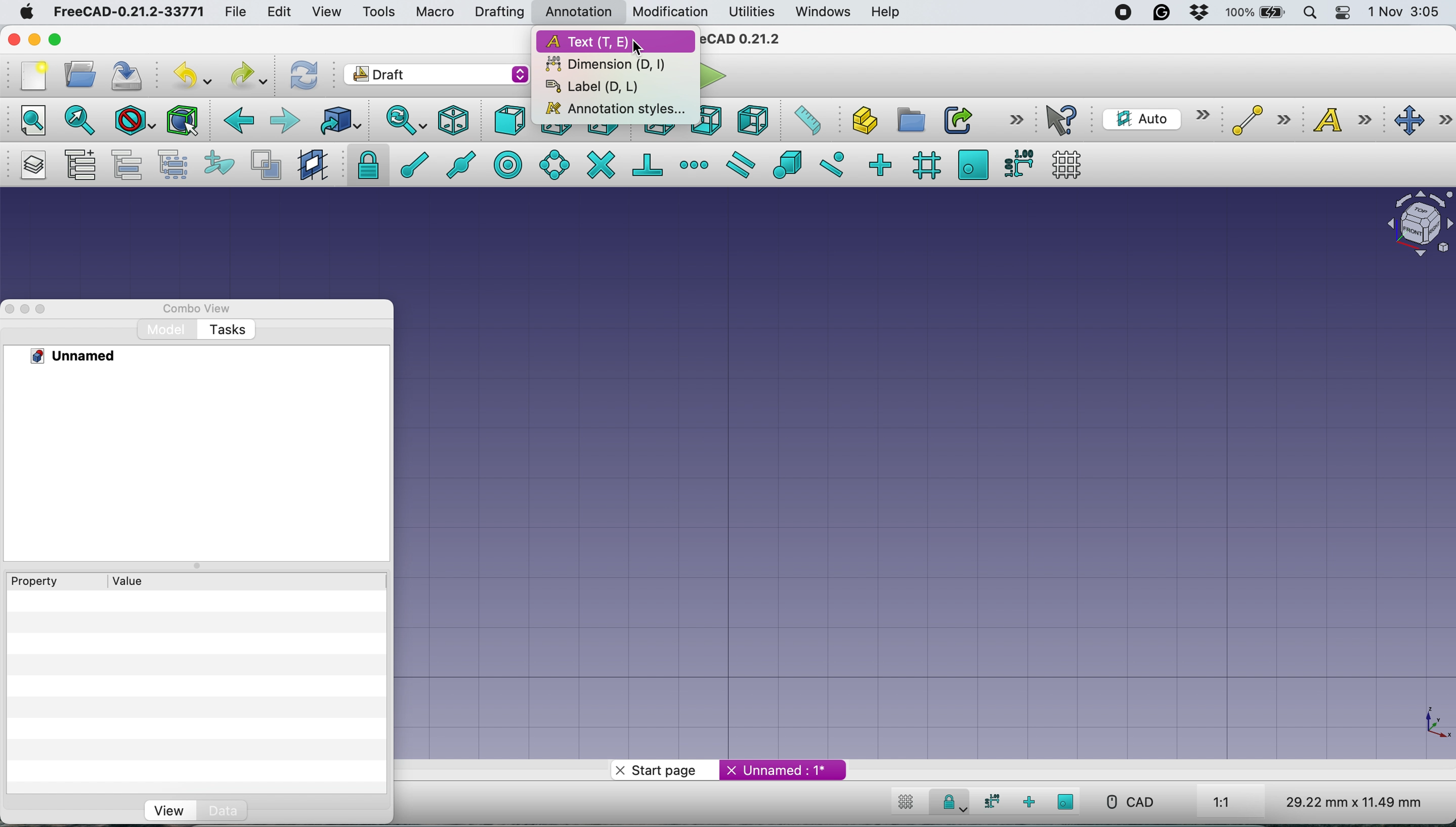  What do you see at coordinates (1308, 12) in the screenshot?
I see `spotlight search` at bounding box center [1308, 12].